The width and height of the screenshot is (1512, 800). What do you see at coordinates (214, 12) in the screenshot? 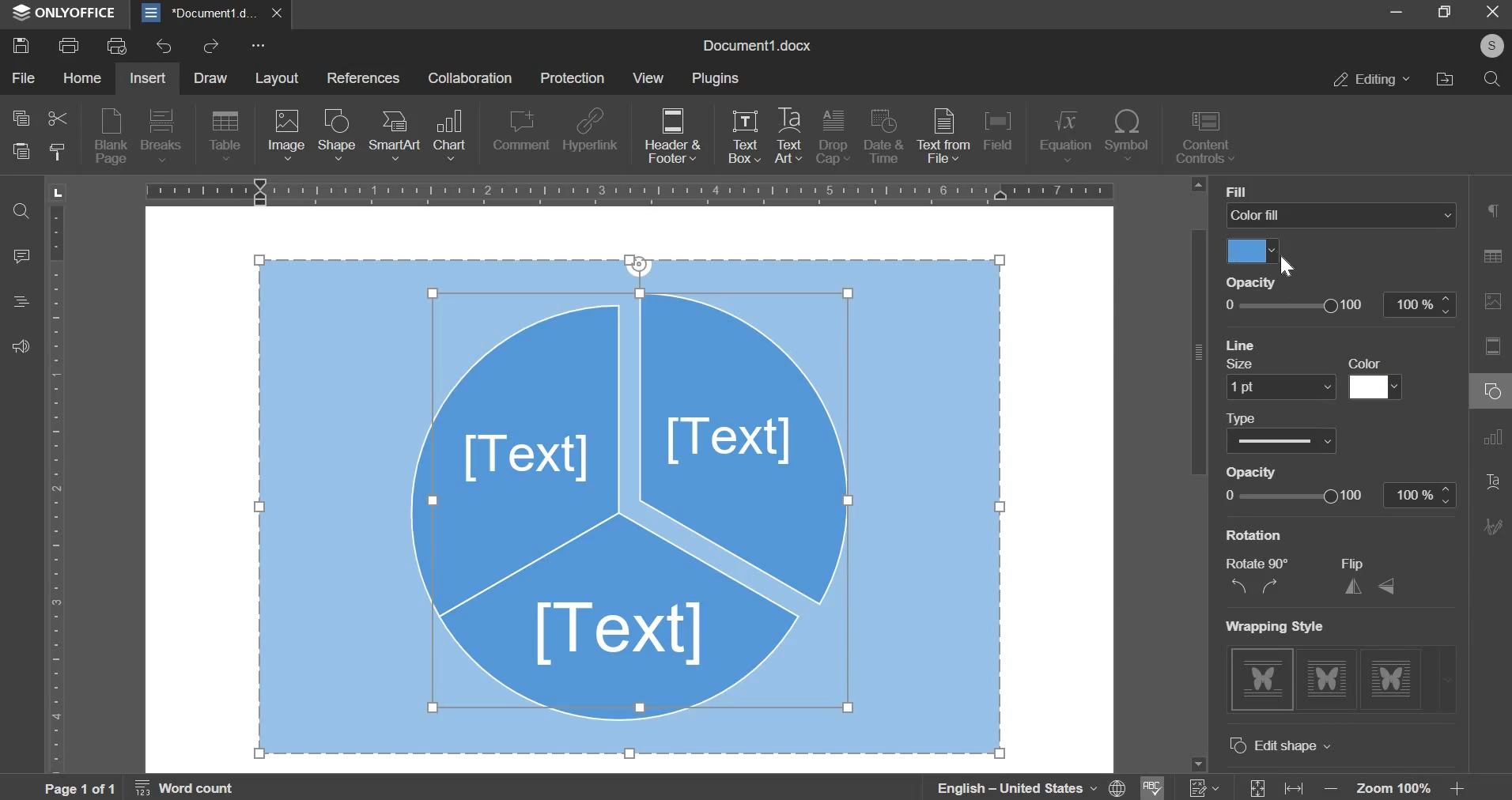
I see `document1` at bounding box center [214, 12].